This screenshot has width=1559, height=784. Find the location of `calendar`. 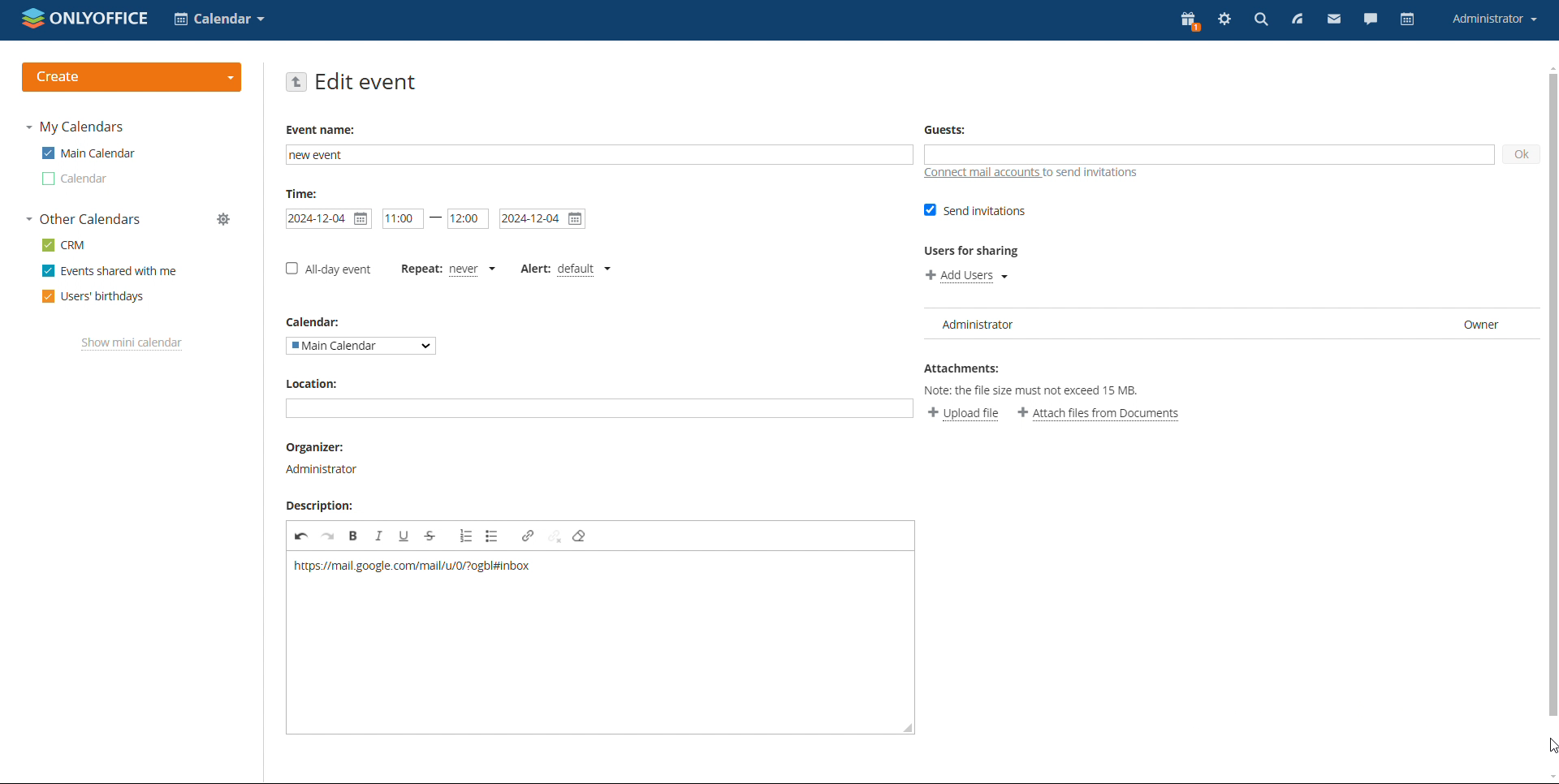

calendar is located at coordinates (74, 179).